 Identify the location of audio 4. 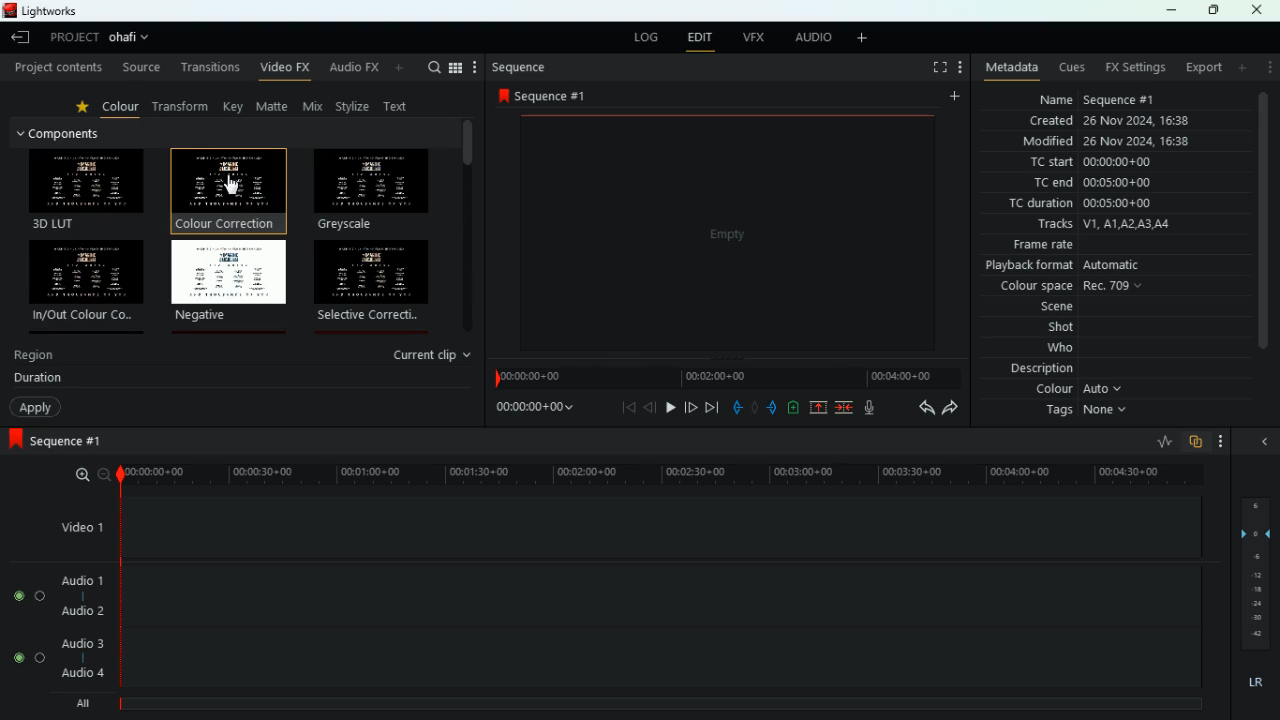
(84, 673).